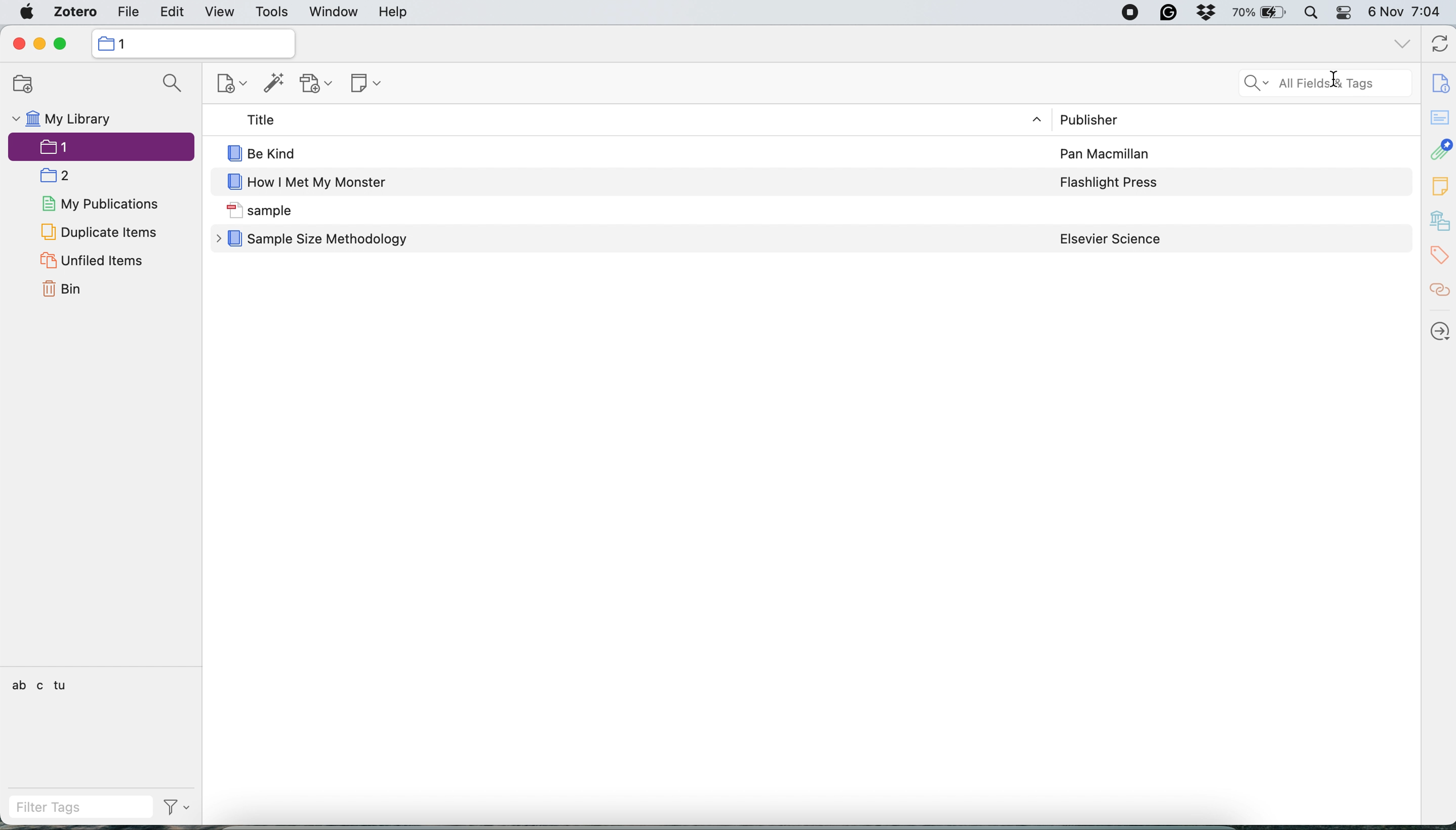  What do you see at coordinates (1439, 186) in the screenshot?
I see `note` at bounding box center [1439, 186].